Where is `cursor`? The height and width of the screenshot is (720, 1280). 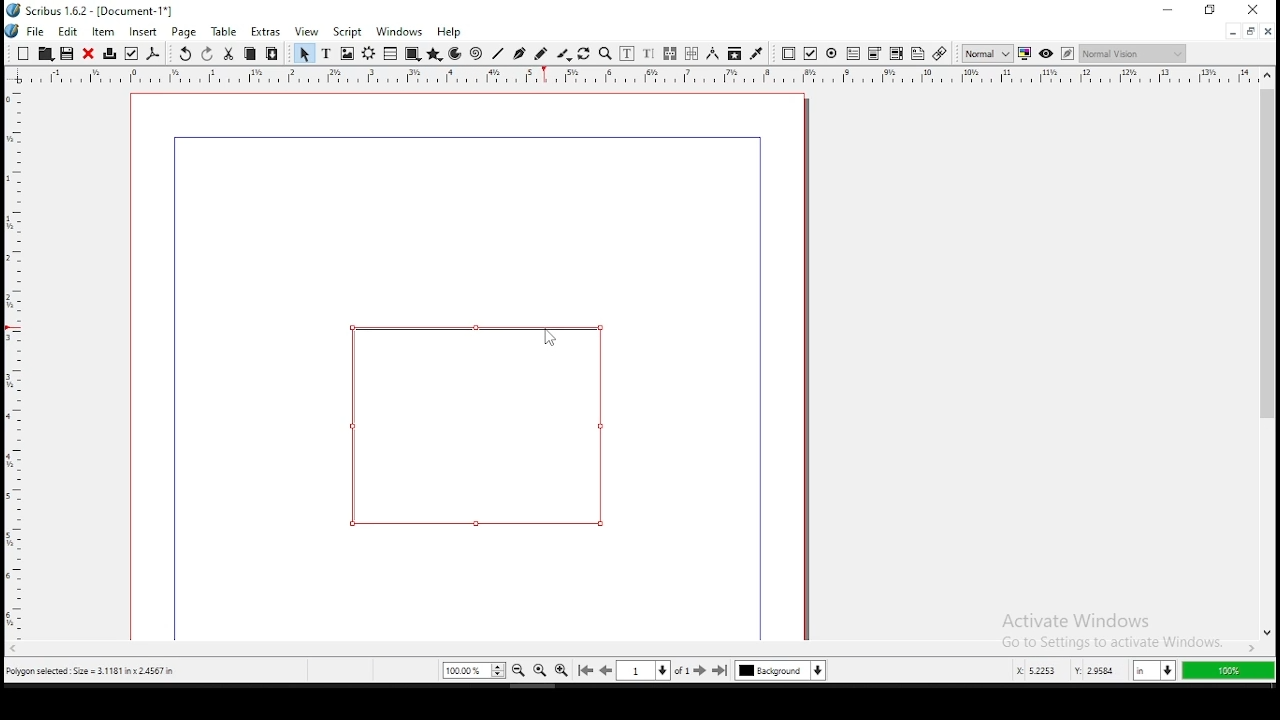 cursor is located at coordinates (553, 330).